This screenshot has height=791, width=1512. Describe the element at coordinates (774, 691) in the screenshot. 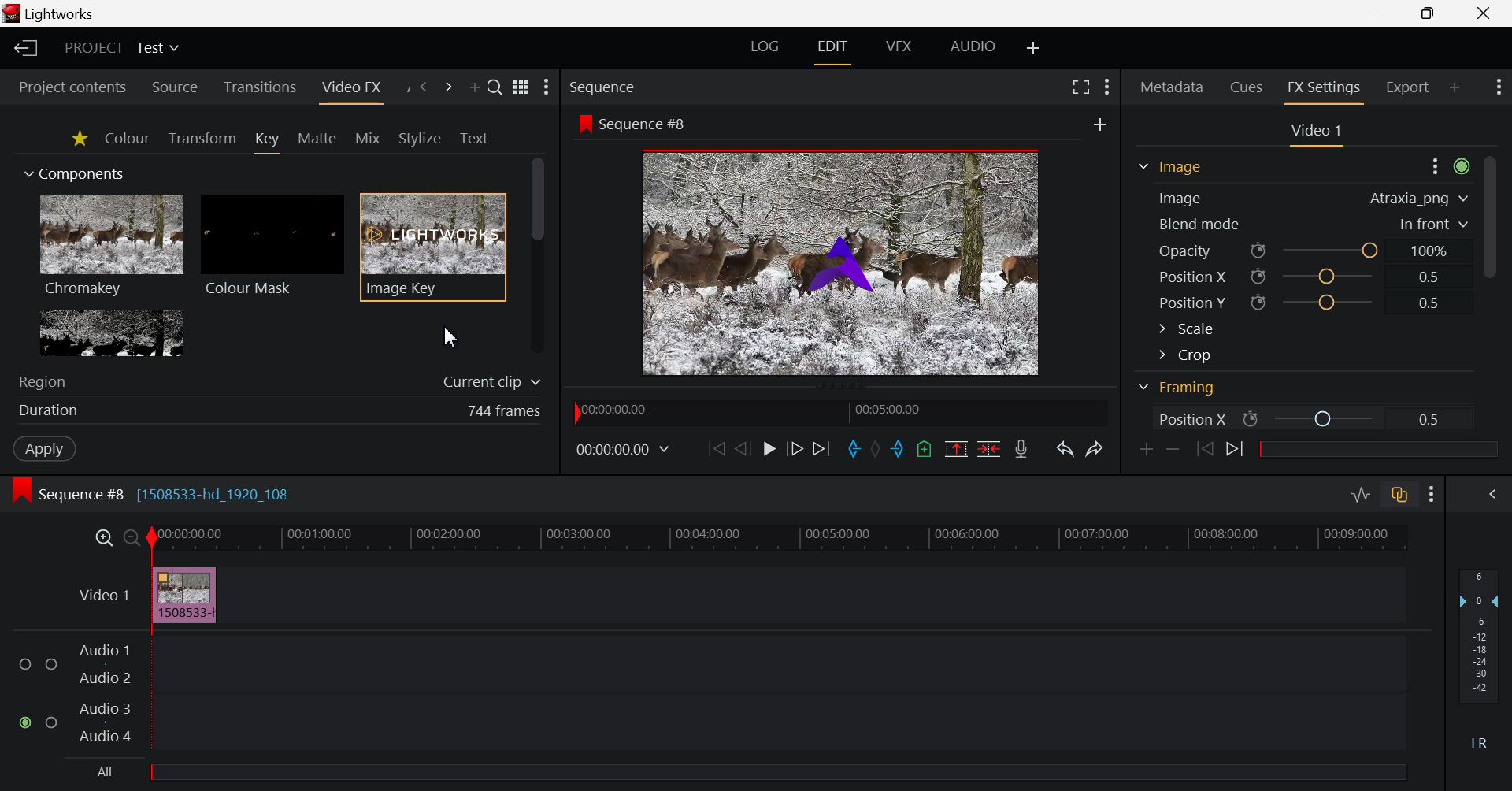

I see `Audio Input Field` at that location.